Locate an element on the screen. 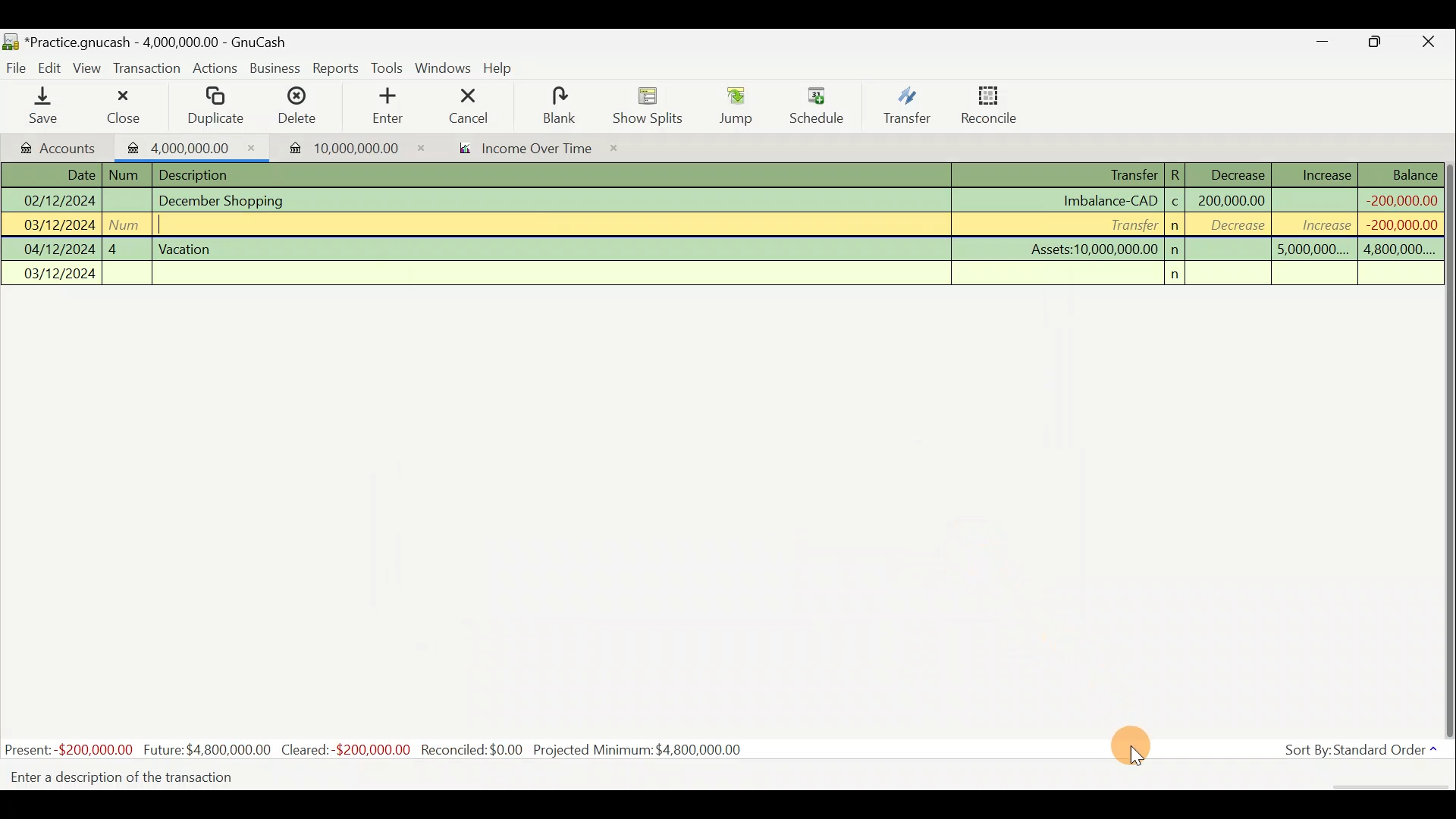 This screenshot has height=819, width=1456. Delete is located at coordinates (298, 106).